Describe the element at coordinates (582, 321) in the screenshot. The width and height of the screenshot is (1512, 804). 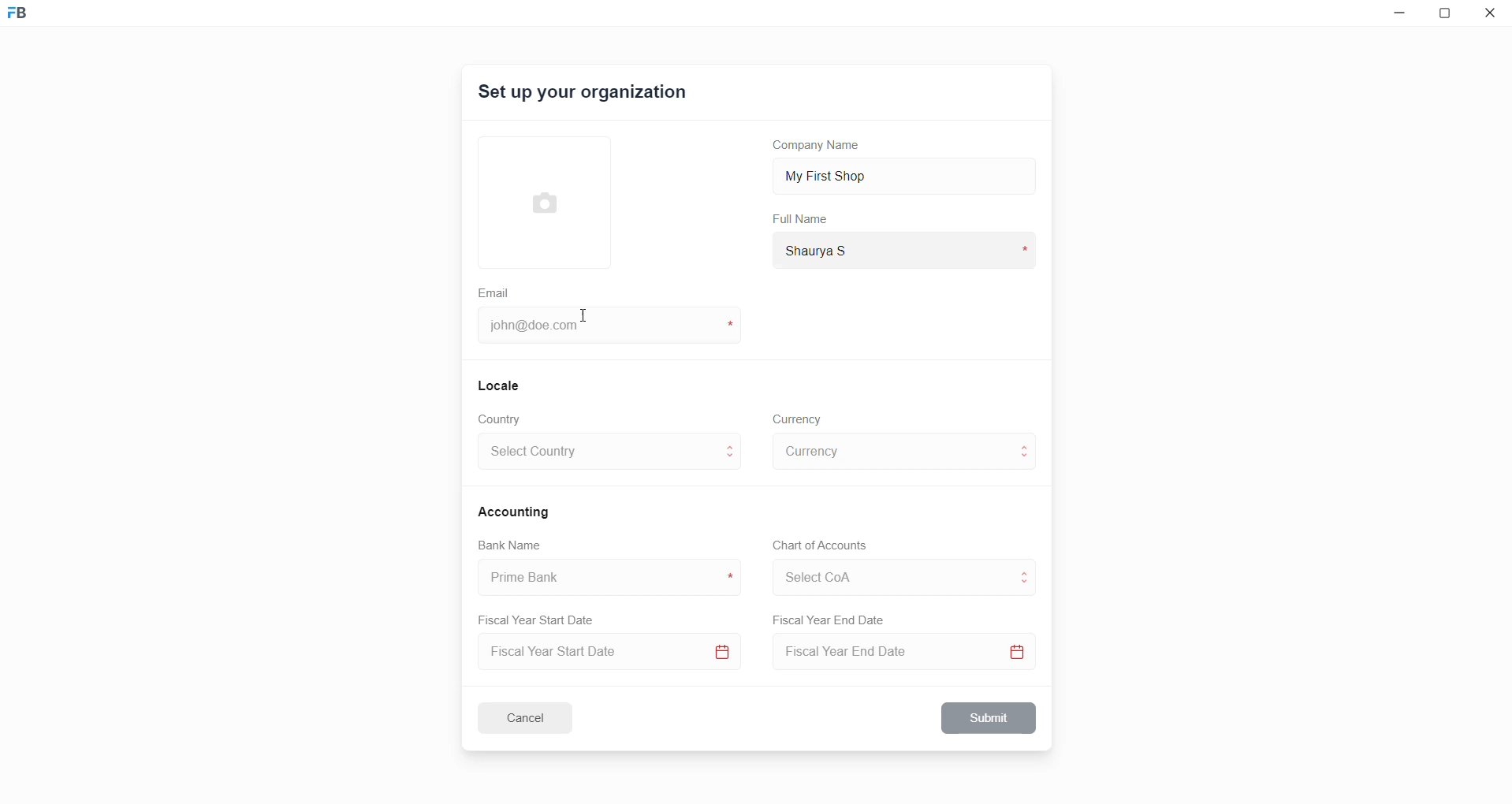
I see `cursor` at that location.